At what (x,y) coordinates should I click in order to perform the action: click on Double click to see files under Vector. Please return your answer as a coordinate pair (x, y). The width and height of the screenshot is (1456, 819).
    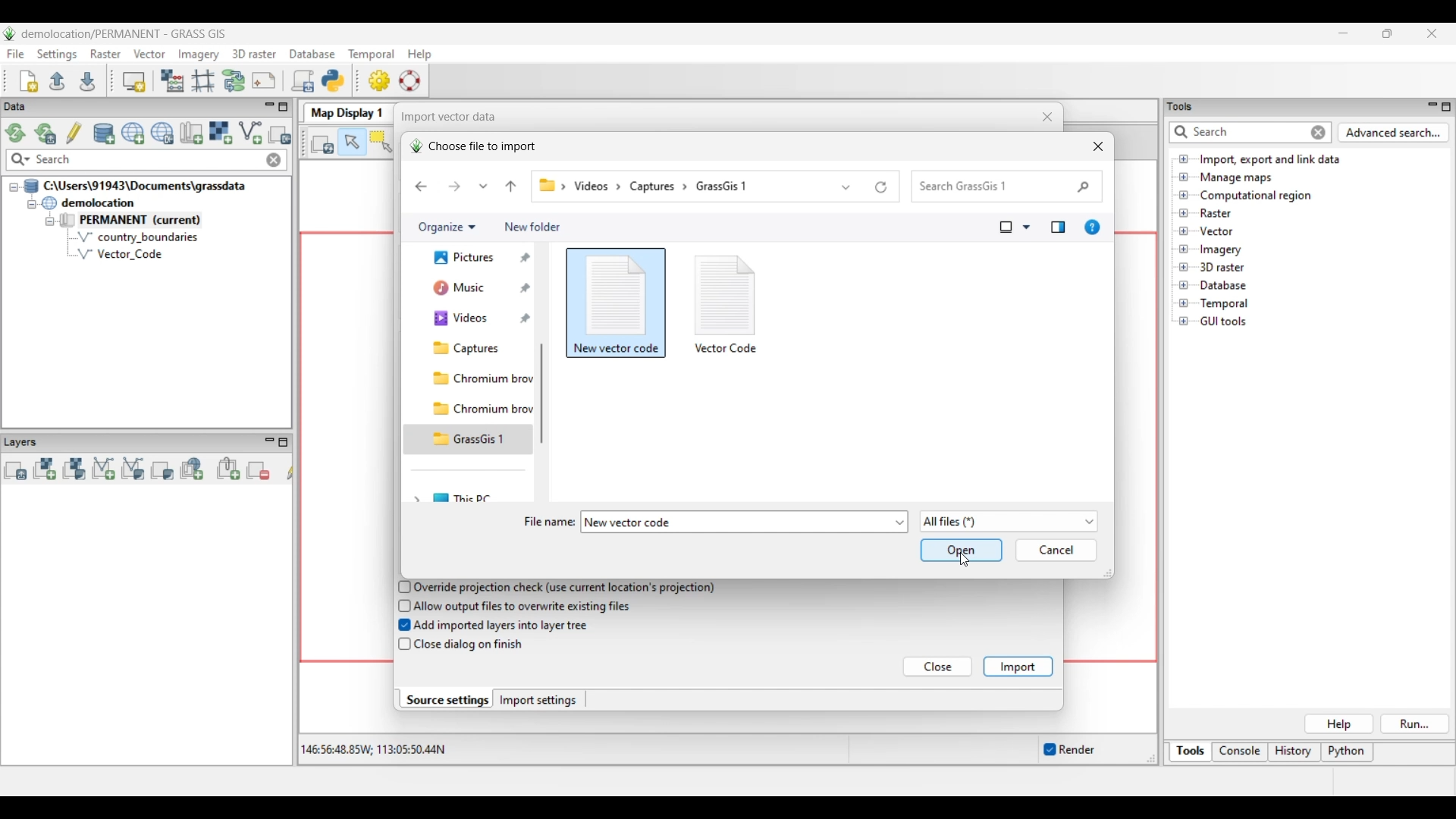
    Looking at the image, I should click on (1216, 231).